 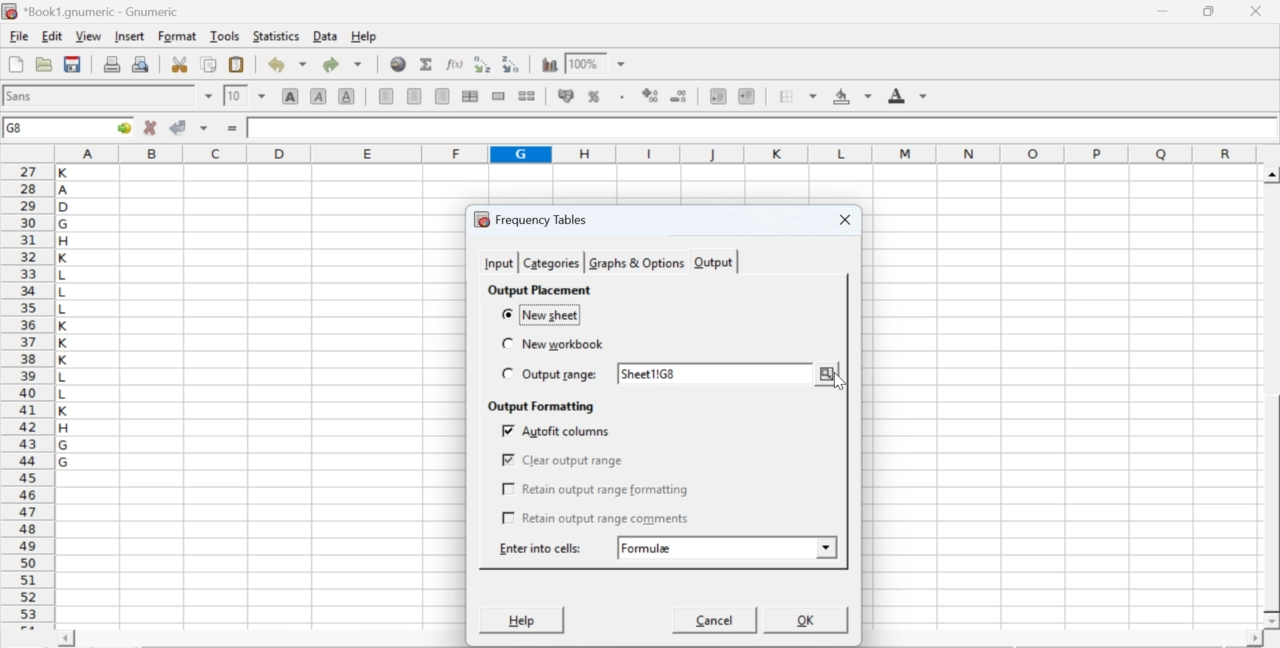 What do you see at coordinates (415, 96) in the screenshot?
I see `center horizontally` at bounding box center [415, 96].